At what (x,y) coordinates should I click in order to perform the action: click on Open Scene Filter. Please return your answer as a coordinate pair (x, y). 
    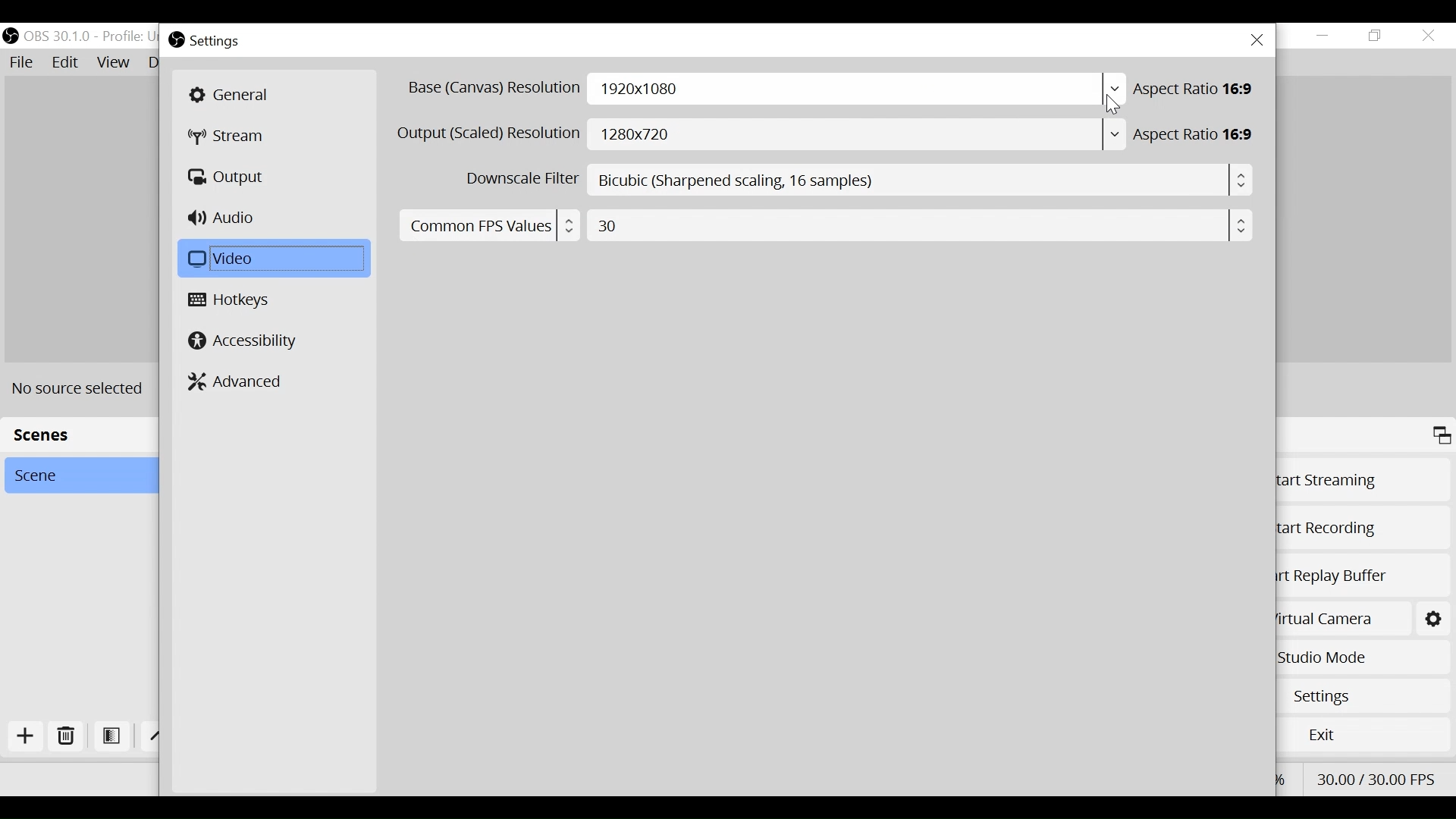
    Looking at the image, I should click on (111, 737).